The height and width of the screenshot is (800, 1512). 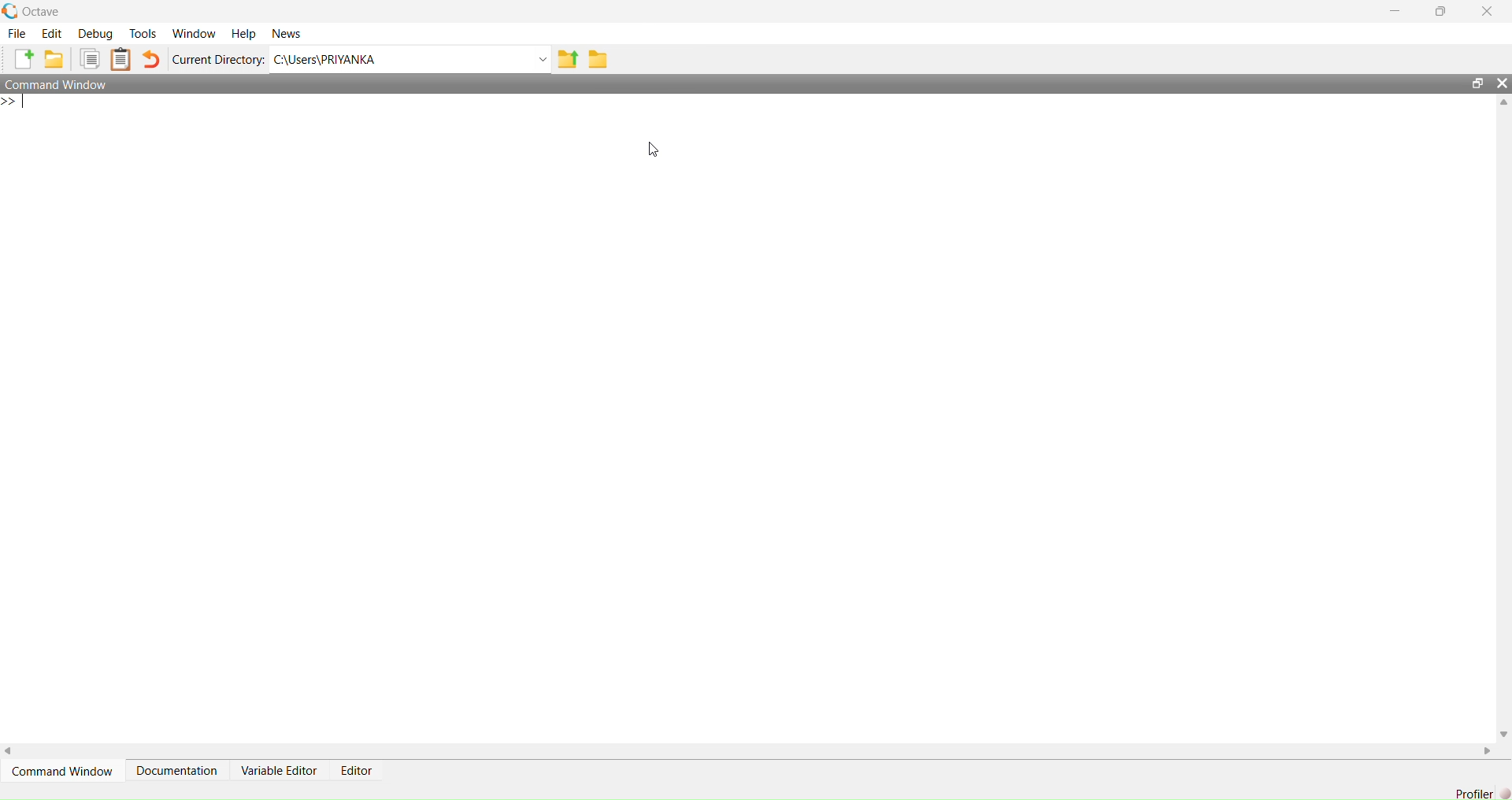 I want to click on restore, so click(x=1440, y=11).